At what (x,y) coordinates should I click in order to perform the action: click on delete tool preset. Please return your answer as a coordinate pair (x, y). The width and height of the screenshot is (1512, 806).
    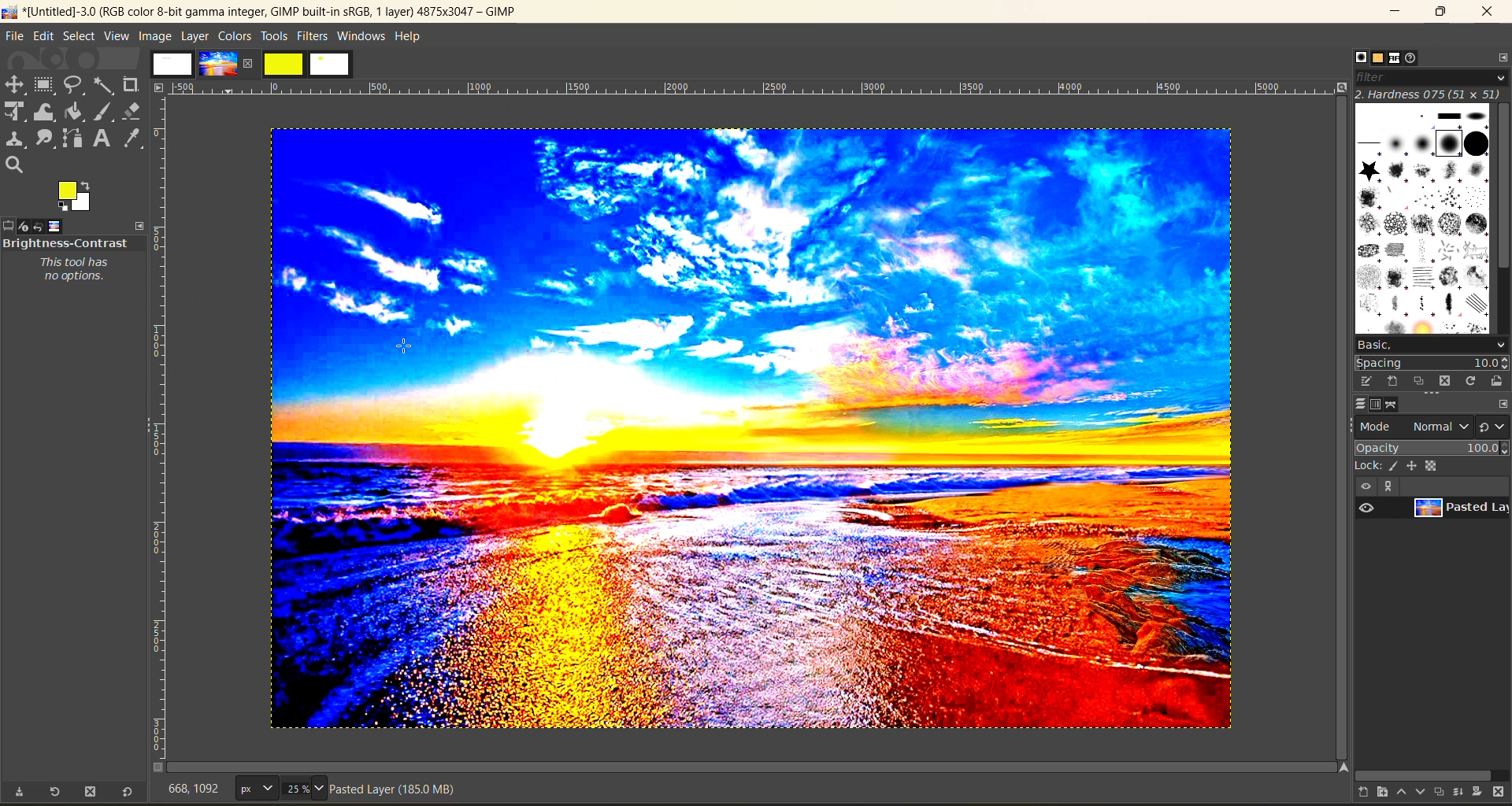
    Looking at the image, I should click on (93, 792).